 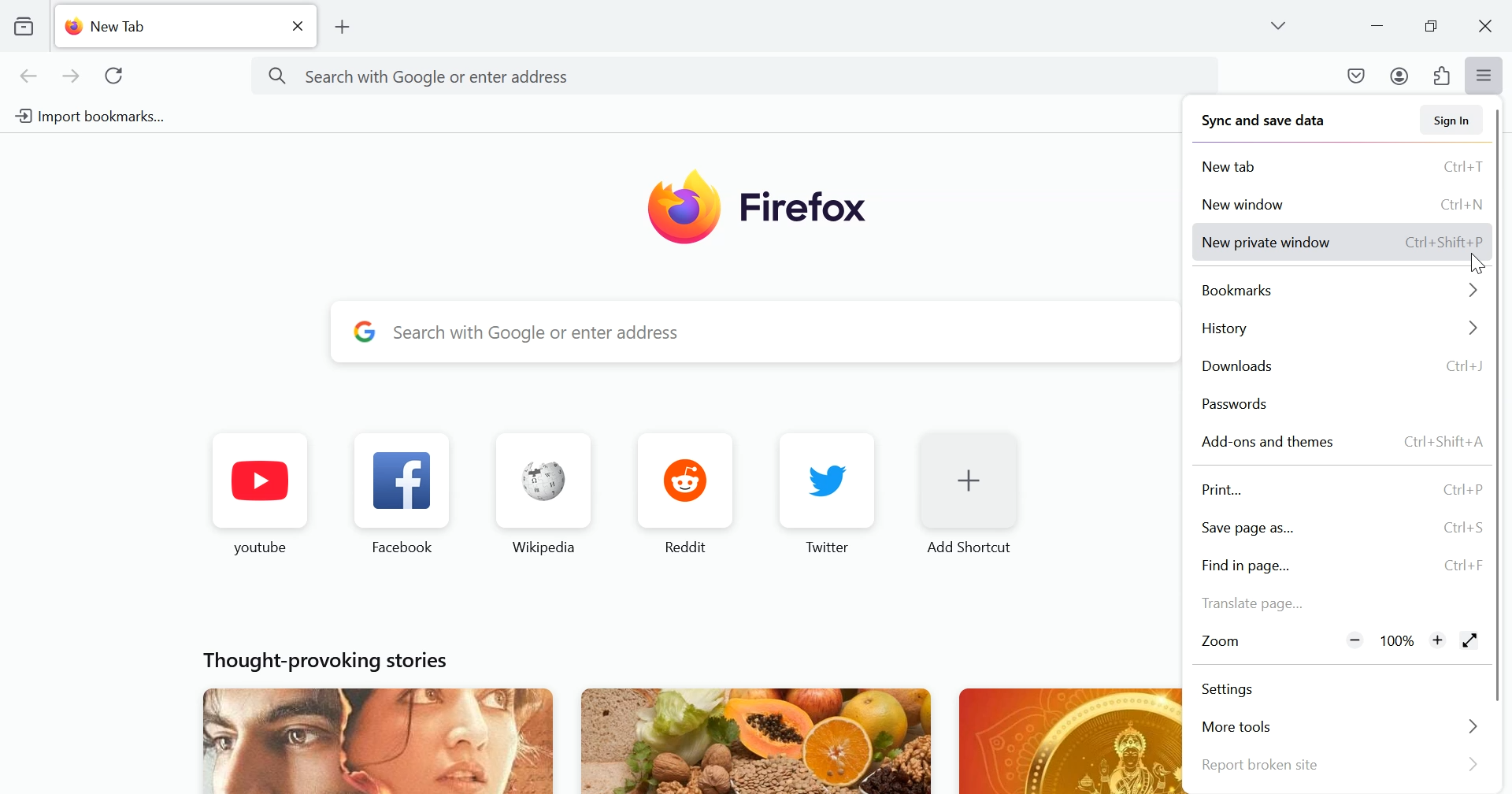 What do you see at coordinates (1342, 291) in the screenshot?
I see `bookmarks` at bounding box center [1342, 291].